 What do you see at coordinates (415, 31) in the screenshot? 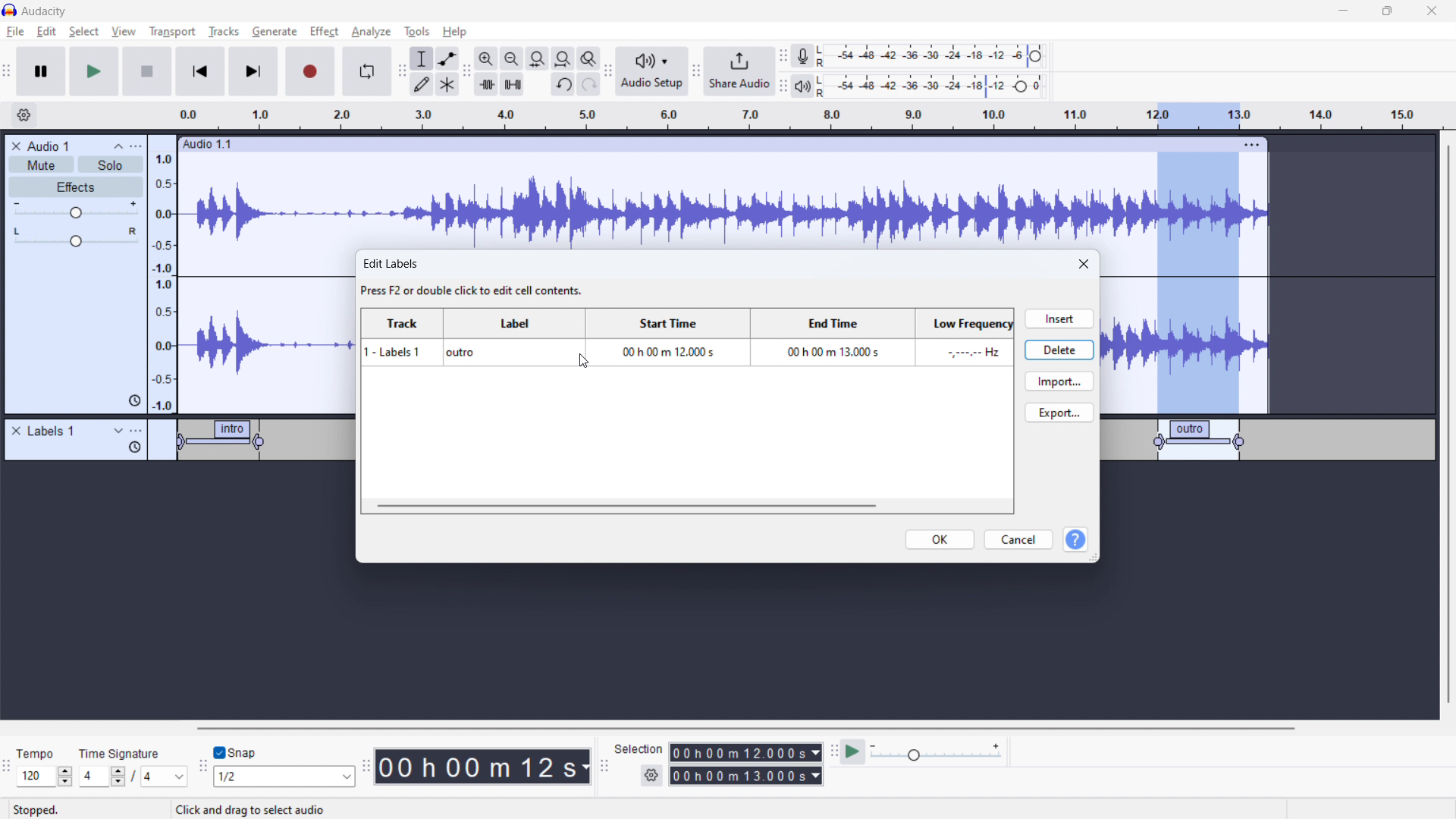
I see `tools` at bounding box center [415, 31].